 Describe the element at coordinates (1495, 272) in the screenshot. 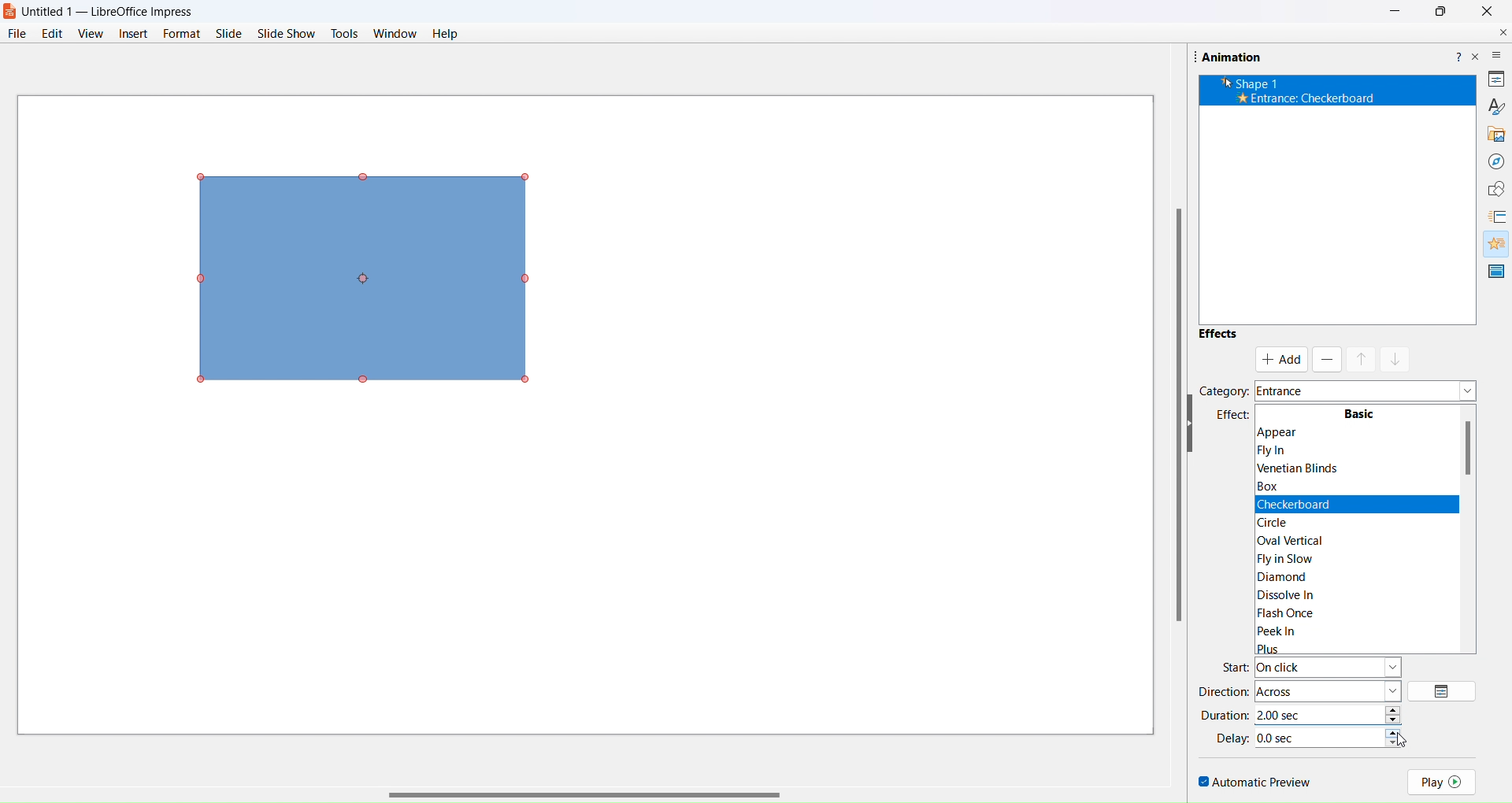

I see `master slide` at that location.